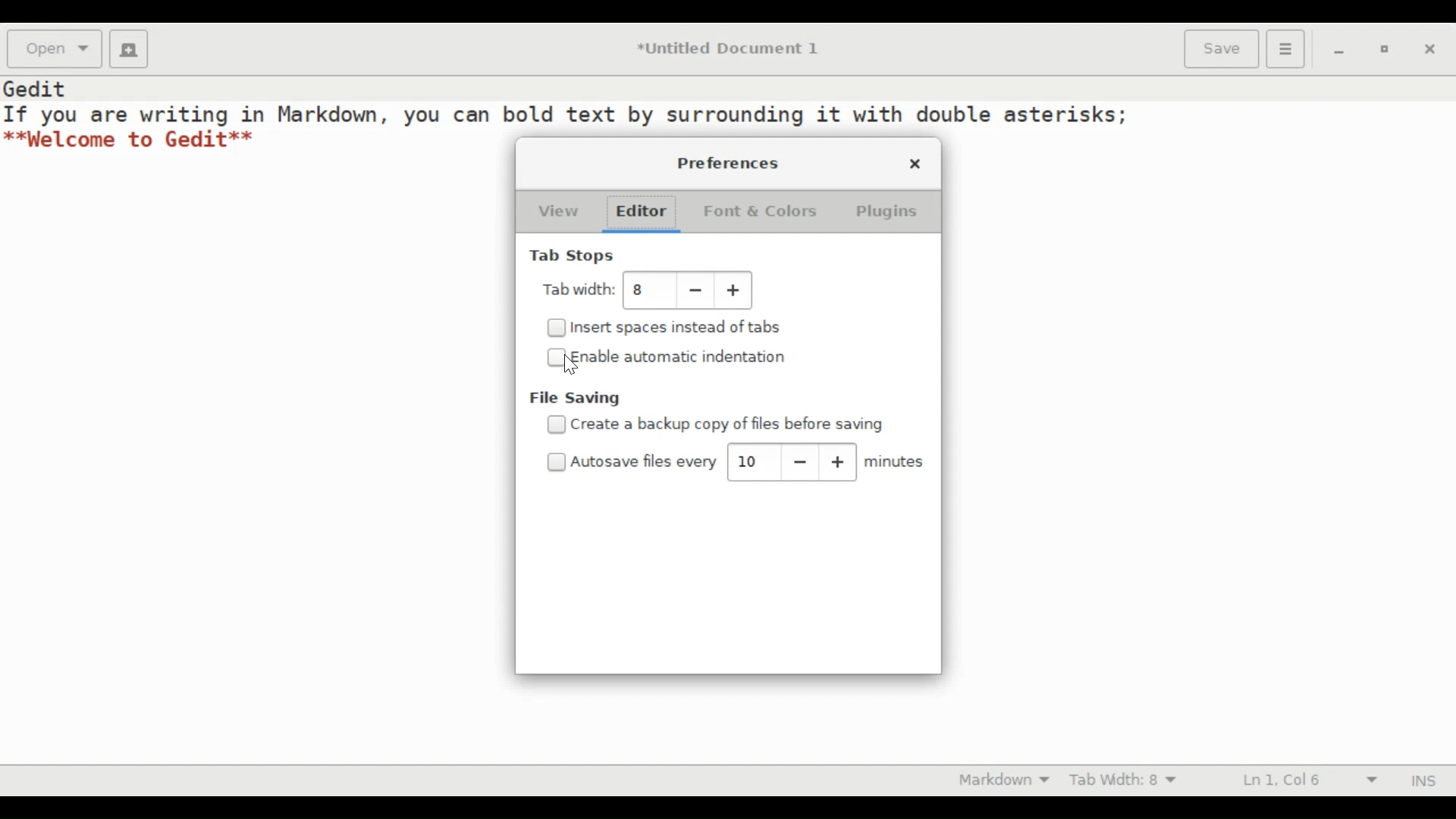 This screenshot has height=819, width=1456. Describe the element at coordinates (129, 49) in the screenshot. I see `Create a new Document` at that location.